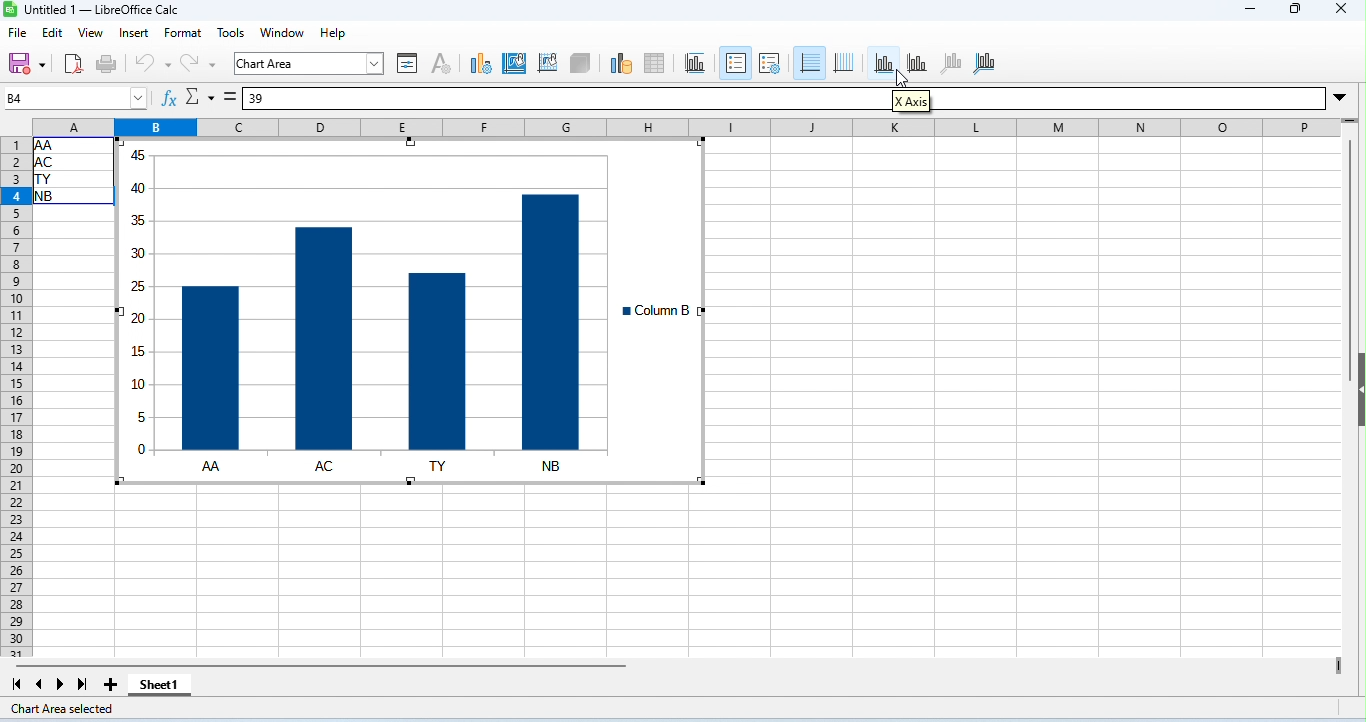 This screenshot has height=722, width=1366. Describe the element at coordinates (442, 64) in the screenshot. I see `character` at that location.